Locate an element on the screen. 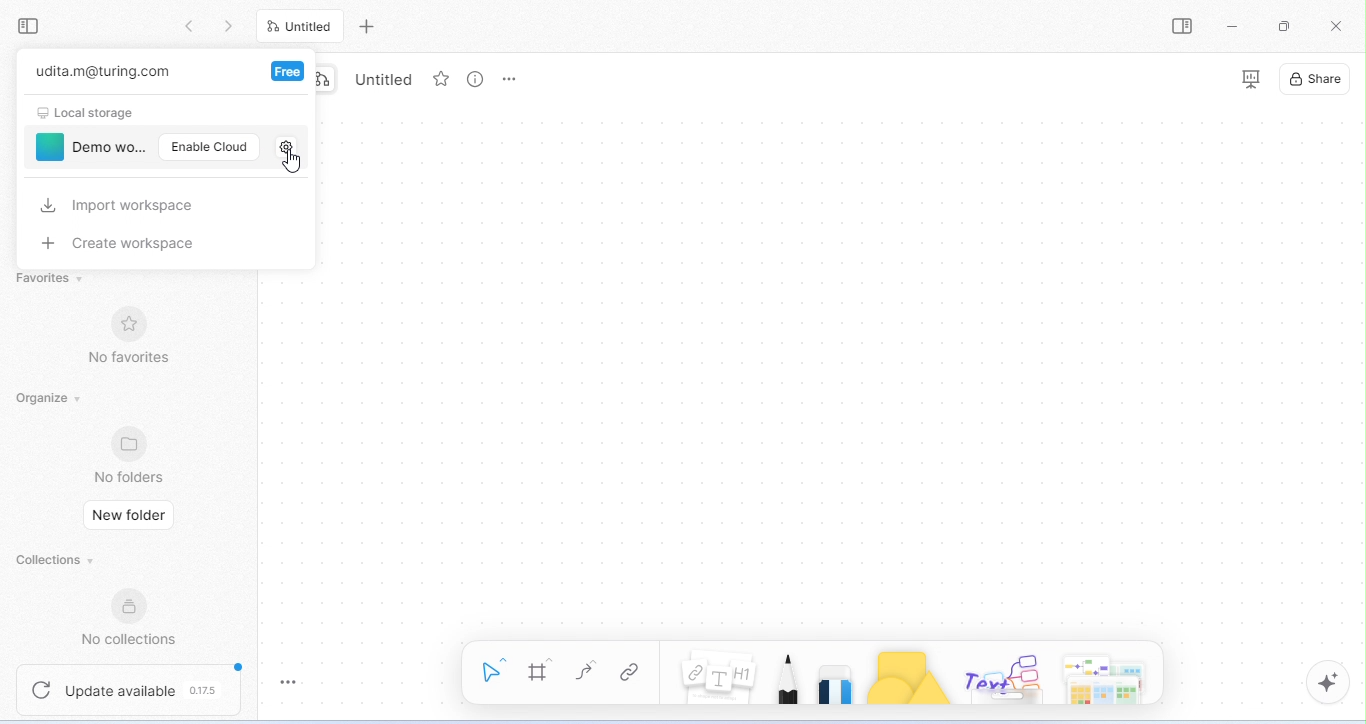 The image size is (1366, 724). import workspace is located at coordinates (120, 206).